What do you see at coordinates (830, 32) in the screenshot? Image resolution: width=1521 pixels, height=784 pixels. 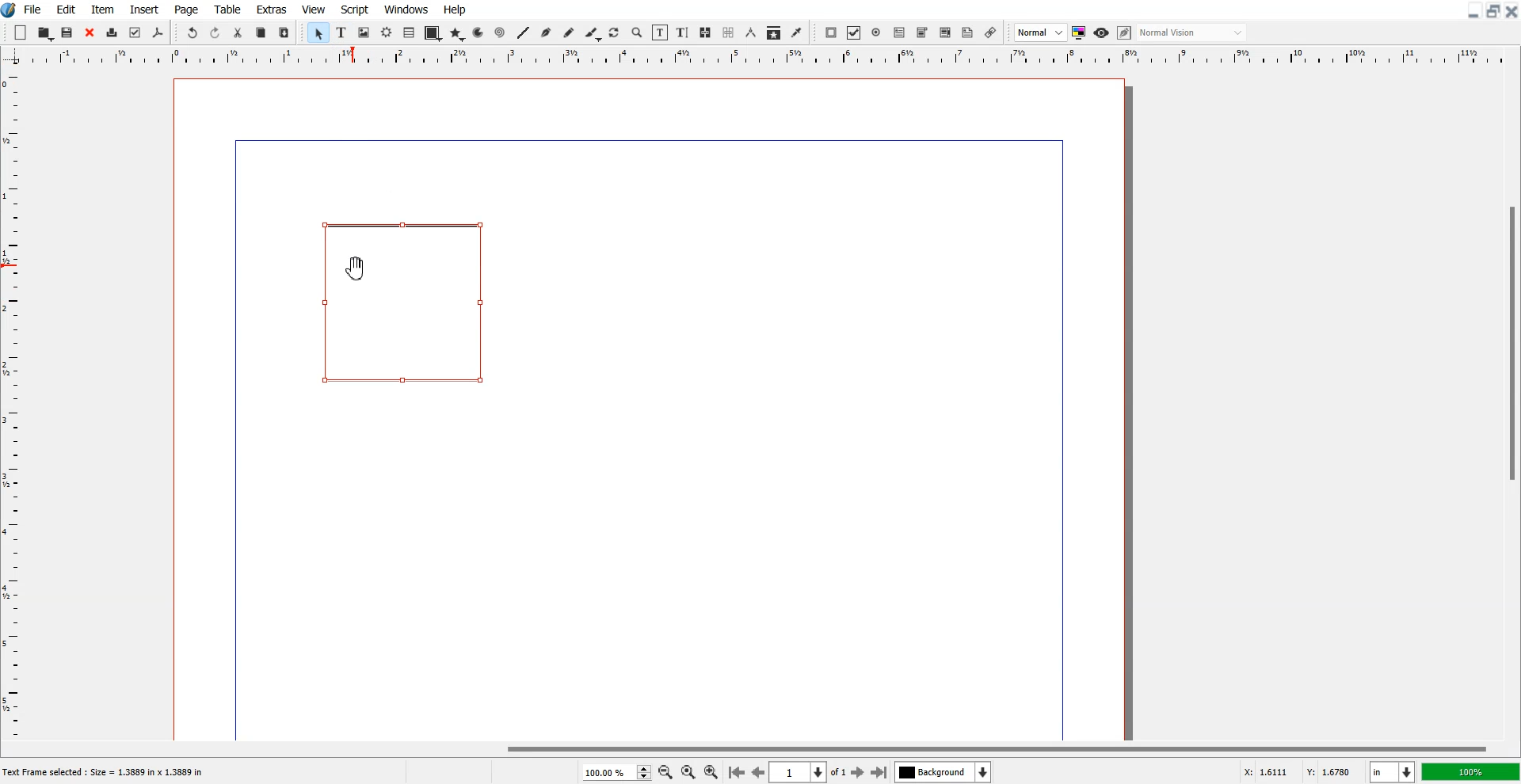 I see `PDF Push button ` at bounding box center [830, 32].